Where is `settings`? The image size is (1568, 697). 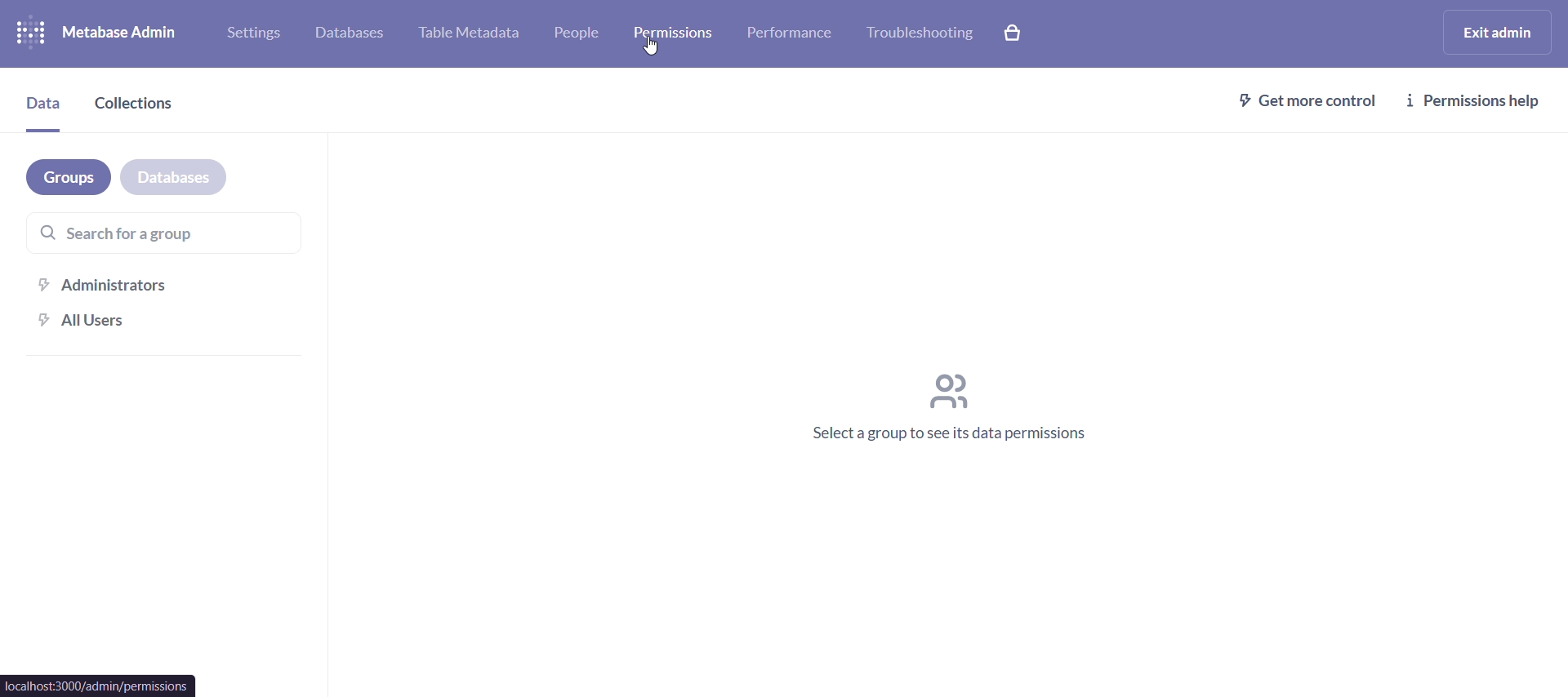 settings is located at coordinates (256, 33).